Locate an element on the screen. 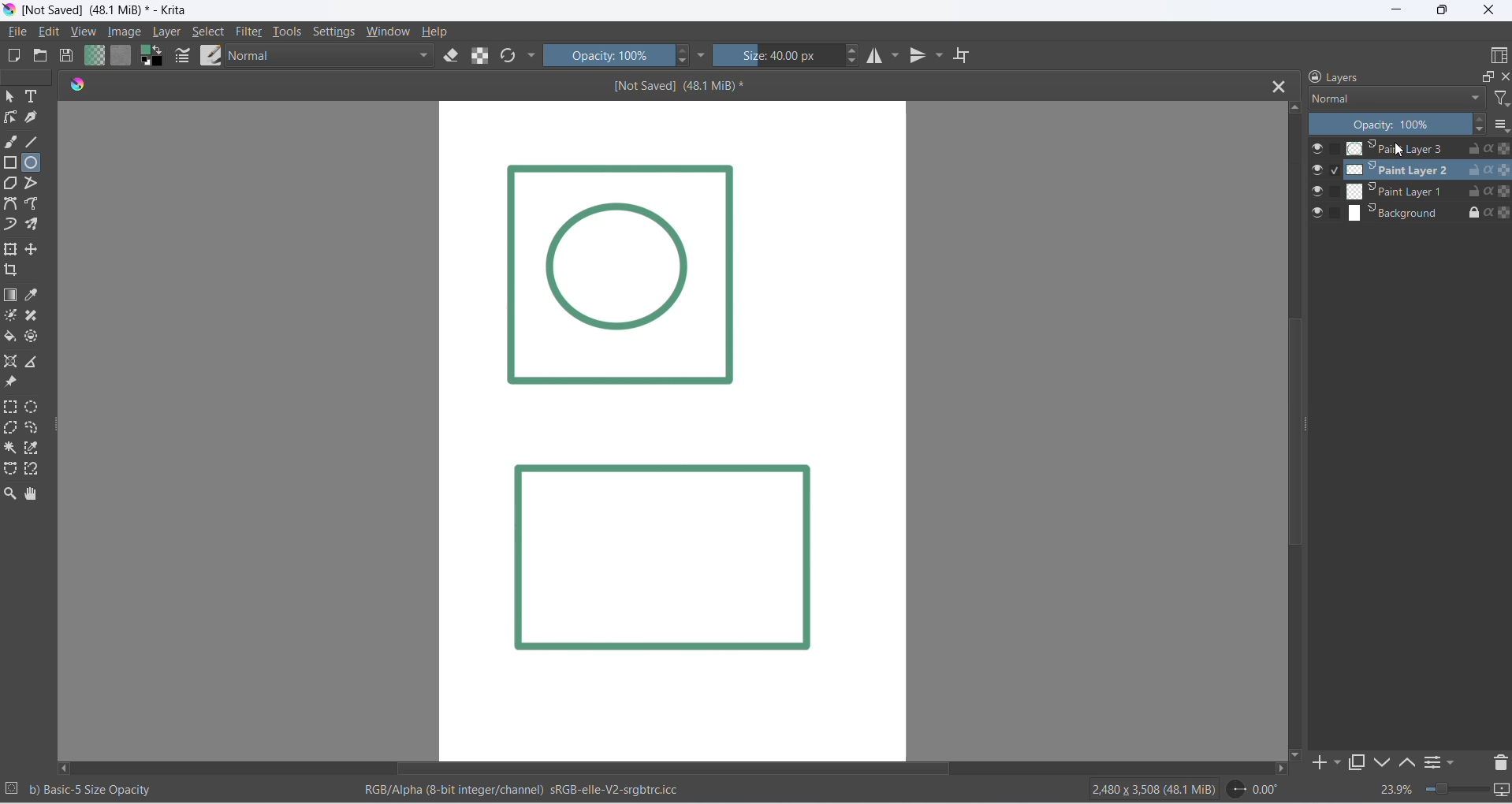 This screenshot has width=1512, height=804. swap foreground and background colors is located at coordinates (153, 56).